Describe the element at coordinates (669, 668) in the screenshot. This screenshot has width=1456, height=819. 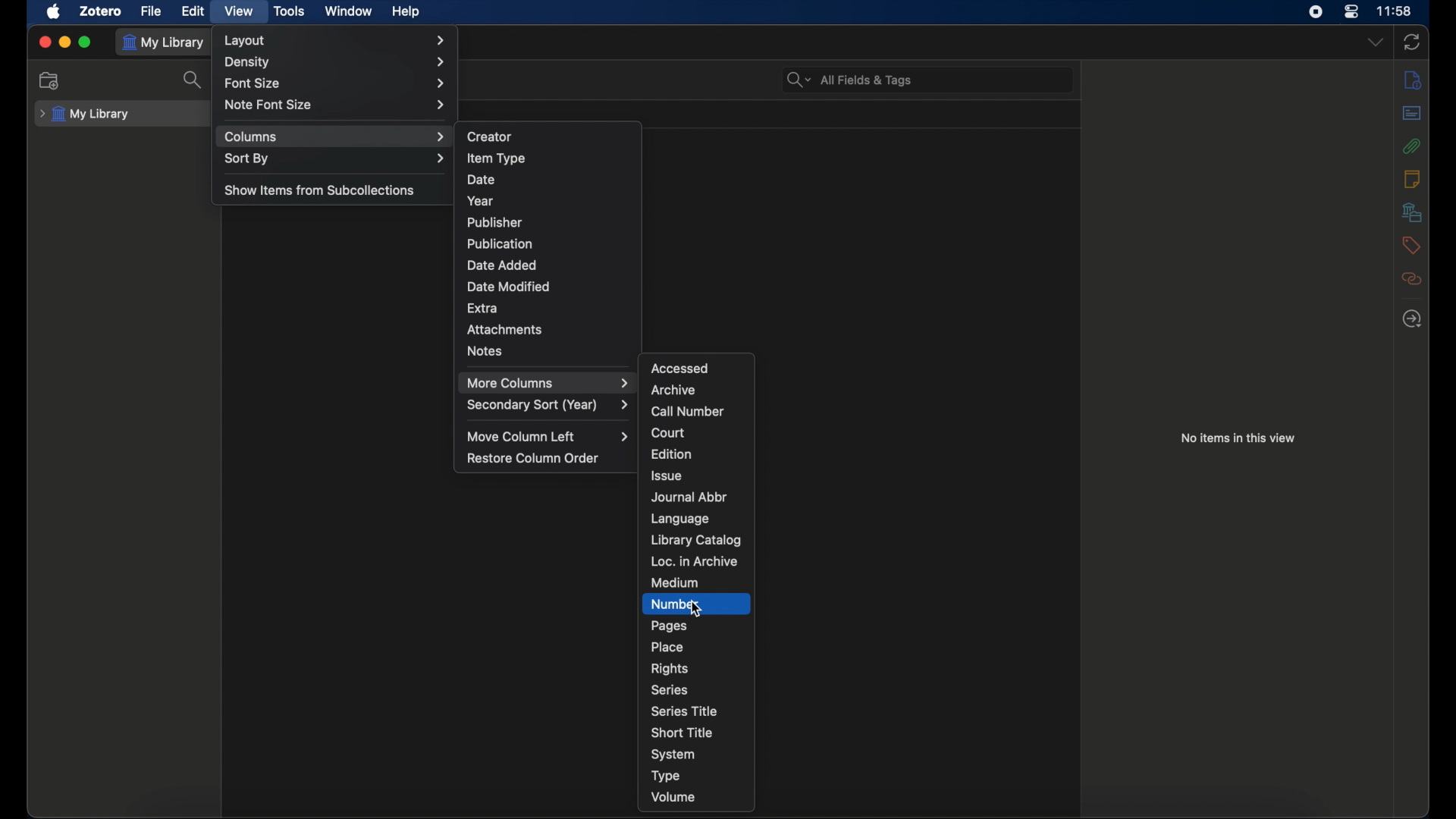
I see `rights` at that location.